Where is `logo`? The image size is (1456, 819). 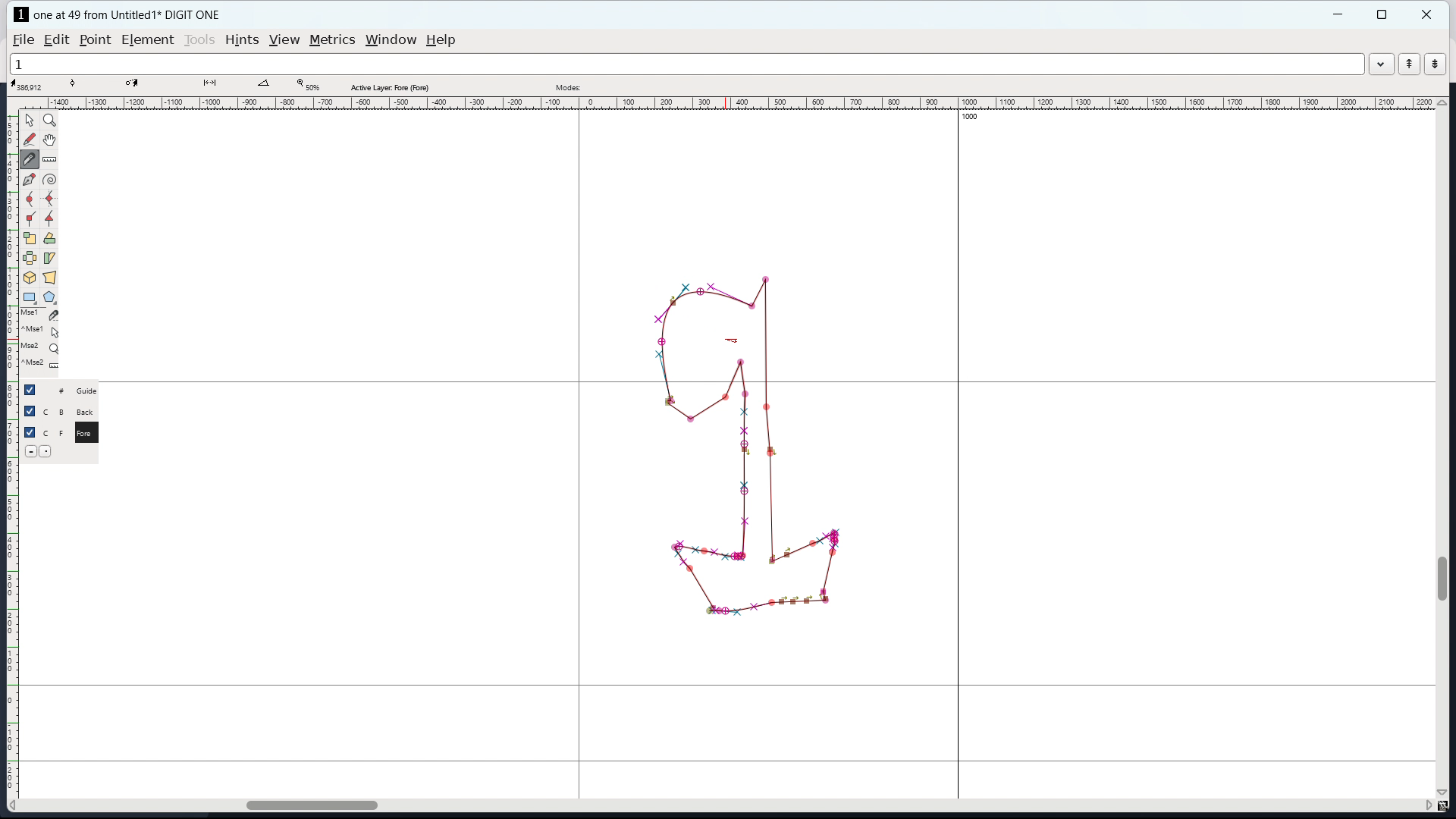
logo is located at coordinates (21, 14).